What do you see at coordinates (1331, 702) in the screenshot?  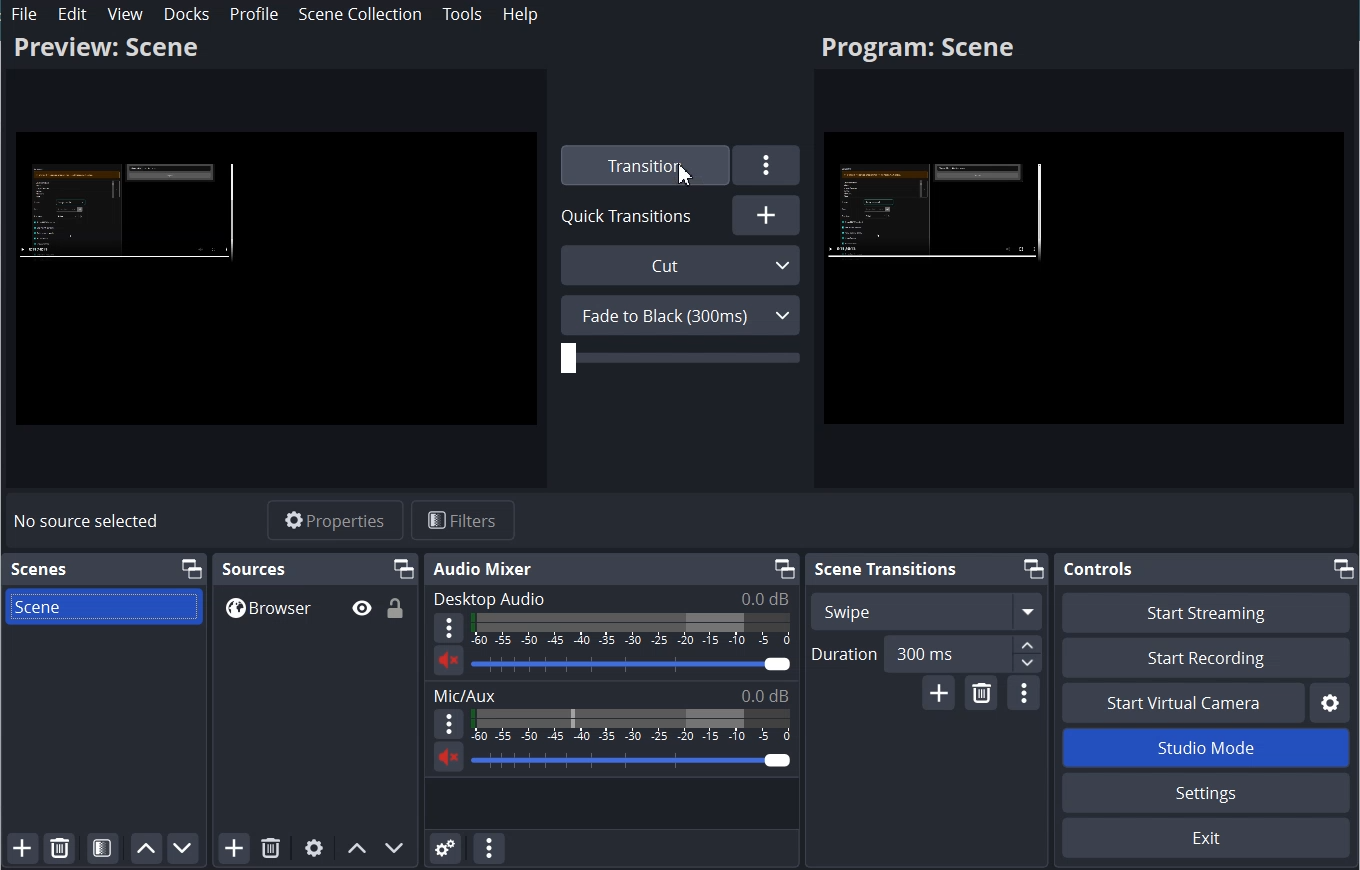 I see `Settings` at bounding box center [1331, 702].